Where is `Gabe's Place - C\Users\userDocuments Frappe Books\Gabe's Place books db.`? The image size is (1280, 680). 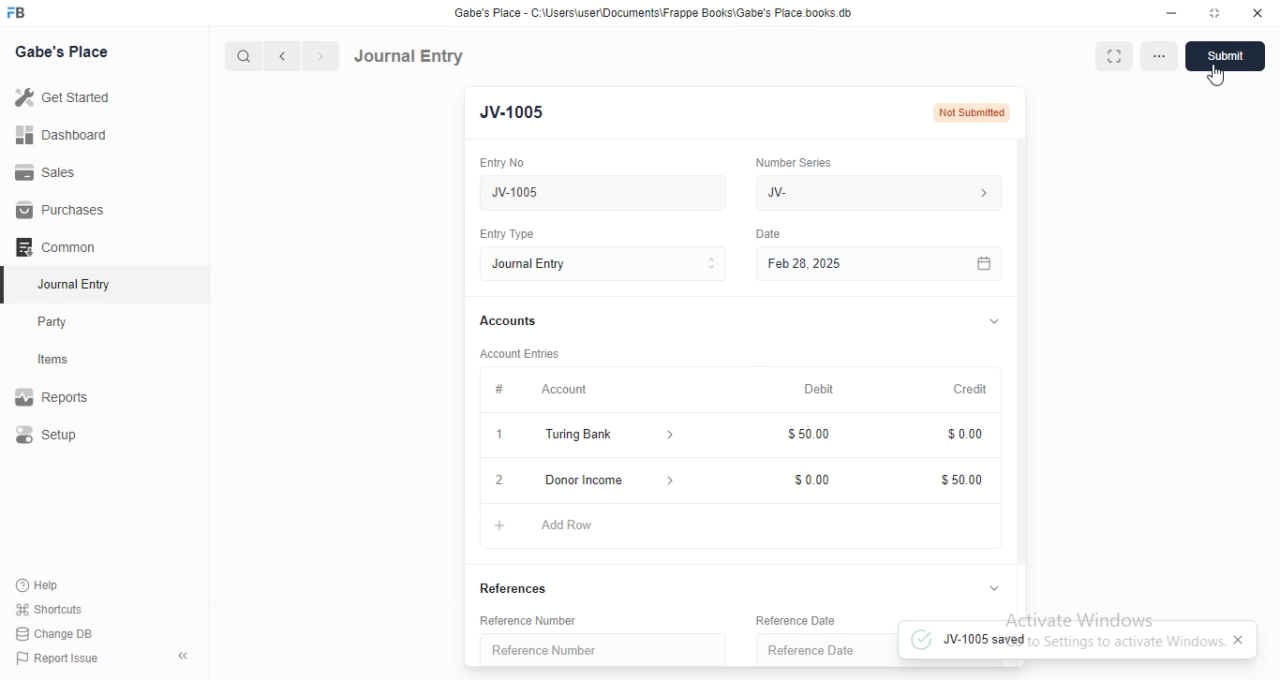 Gabe's Place - C\Users\userDocuments Frappe Books\Gabe's Place books db. is located at coordinates (654, 13).